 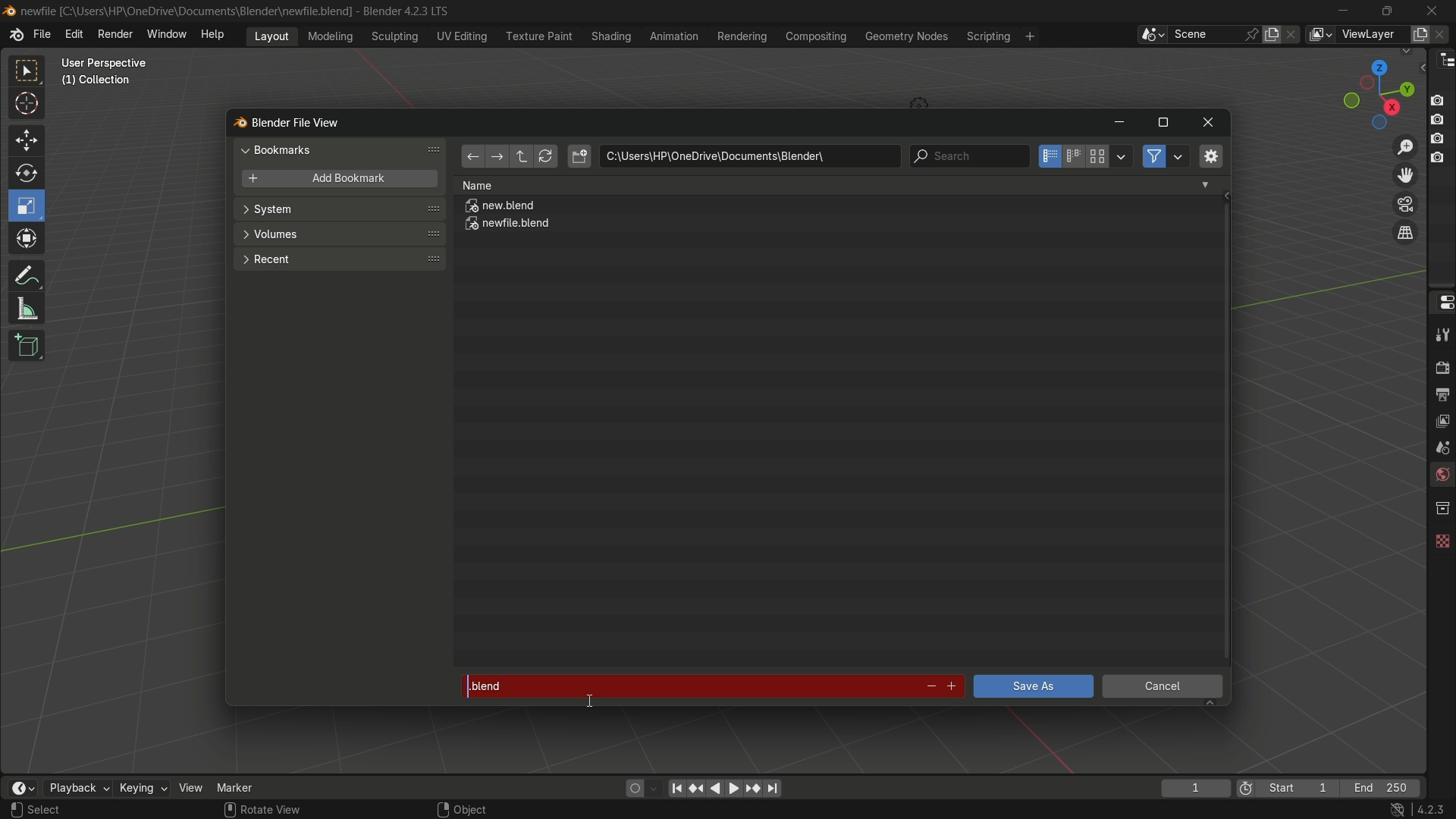 What do you see at coordinates (1386, 10) in the screenshot?
I see `maximize or restore` at bounding box center [1386, 10].